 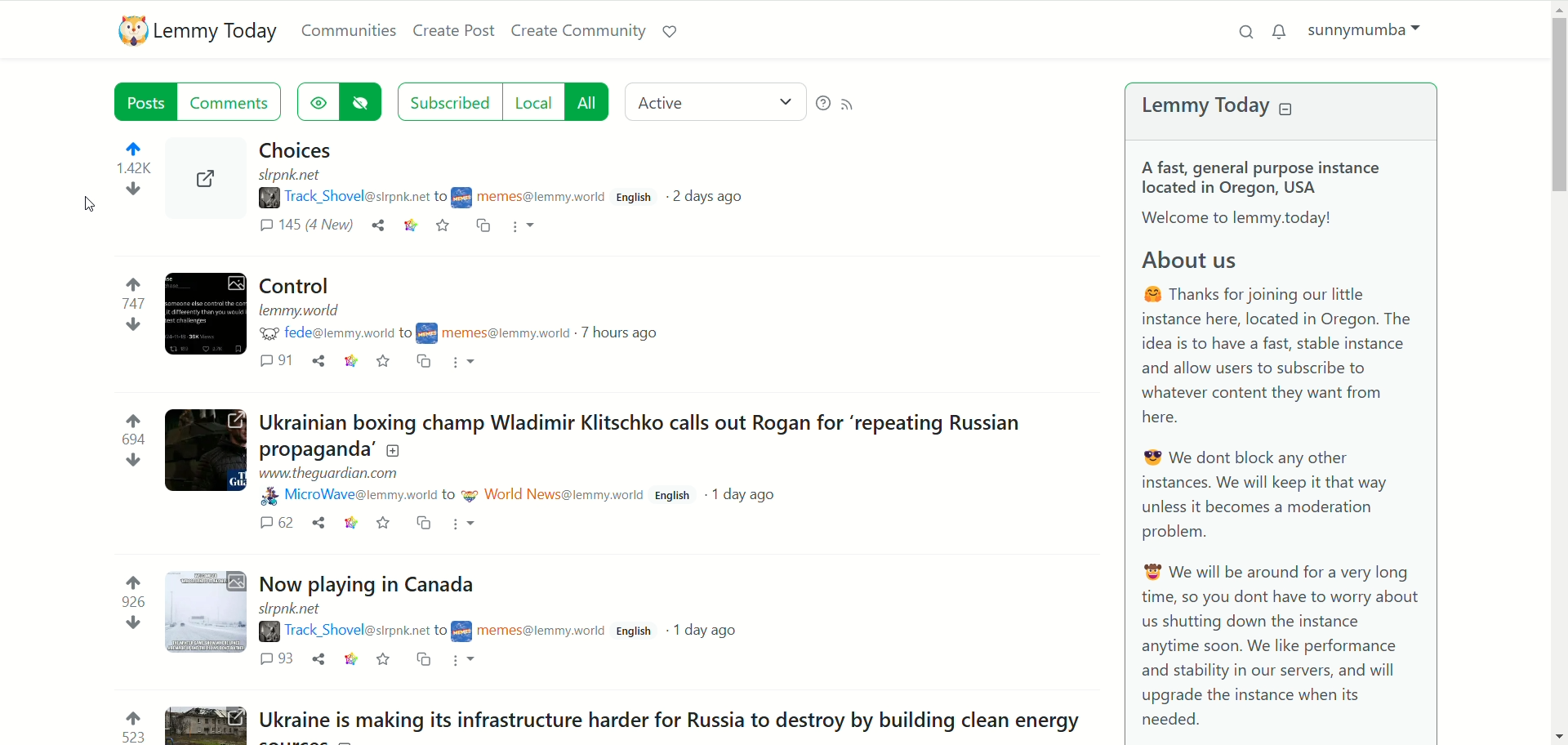 I want to click on more, so click(x=465, y=662).